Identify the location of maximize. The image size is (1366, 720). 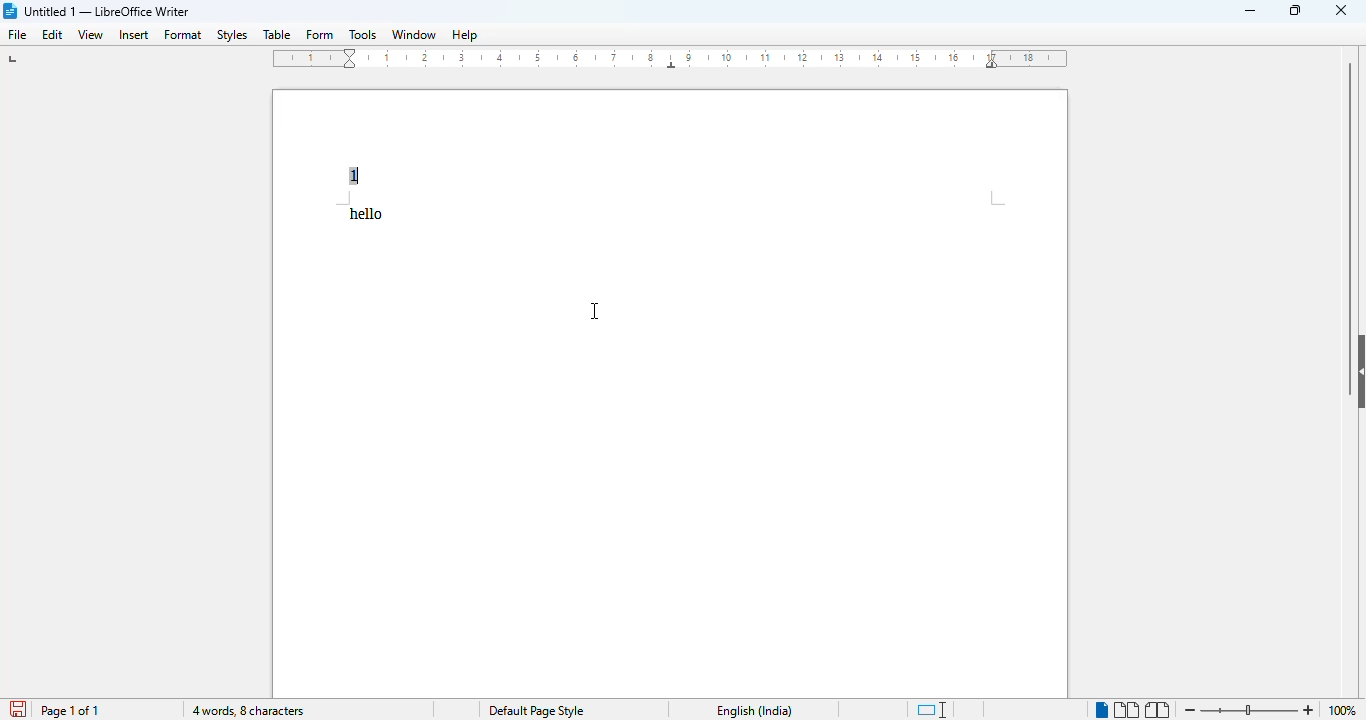
(1297, 11).